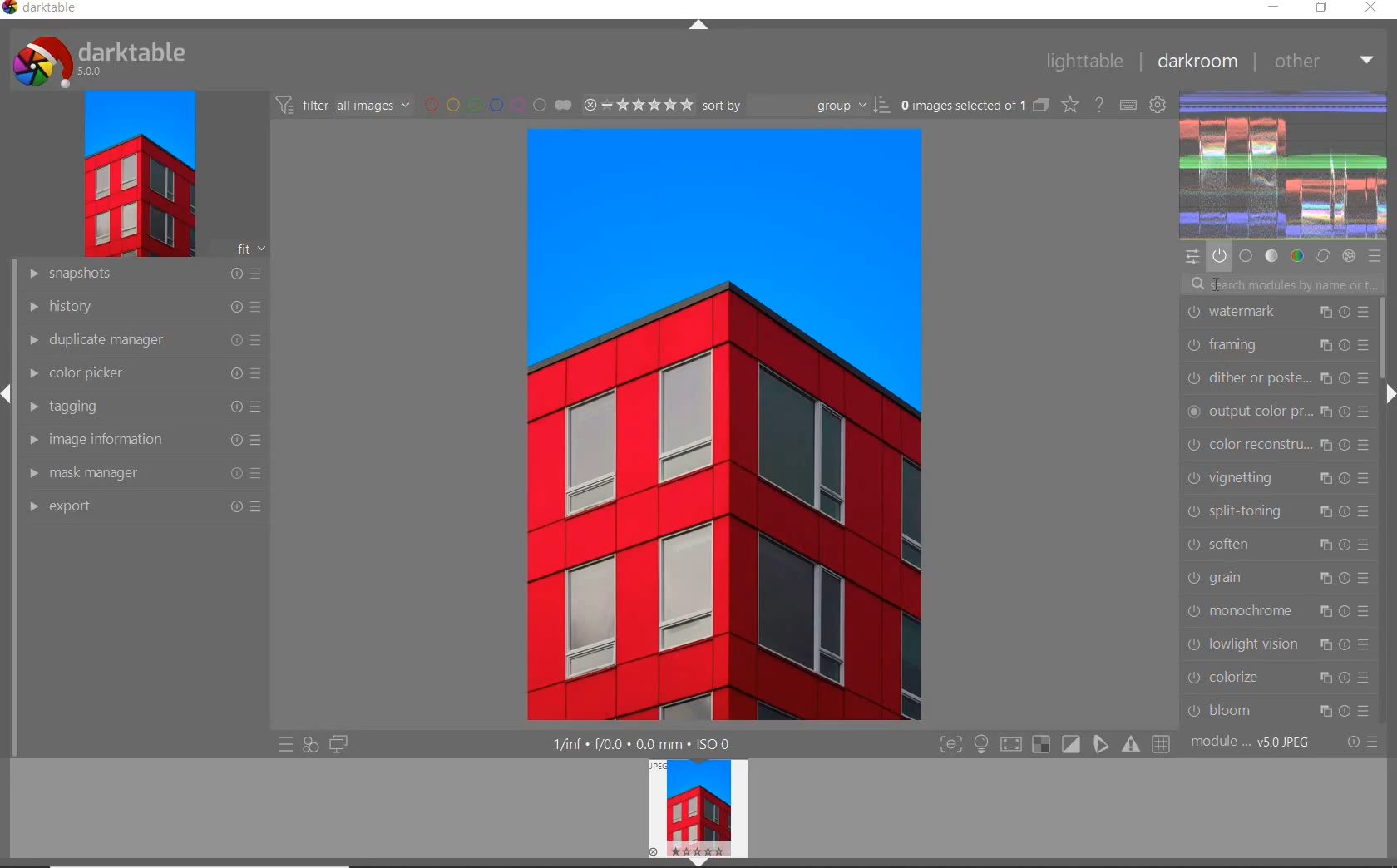  I want to click on shadow, so click(1009, 745).